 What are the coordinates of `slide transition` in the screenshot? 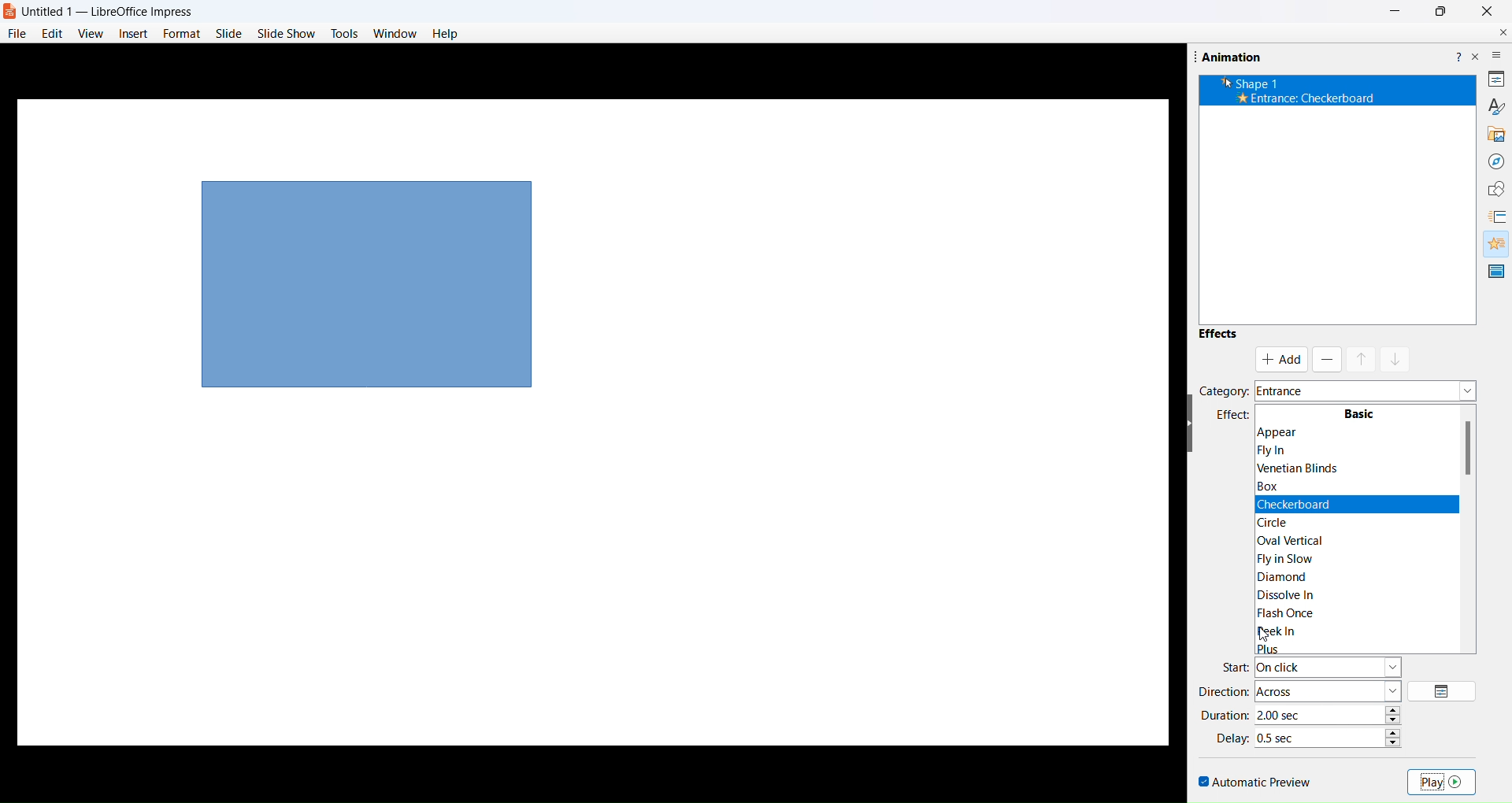 It's located at (1499, 216).